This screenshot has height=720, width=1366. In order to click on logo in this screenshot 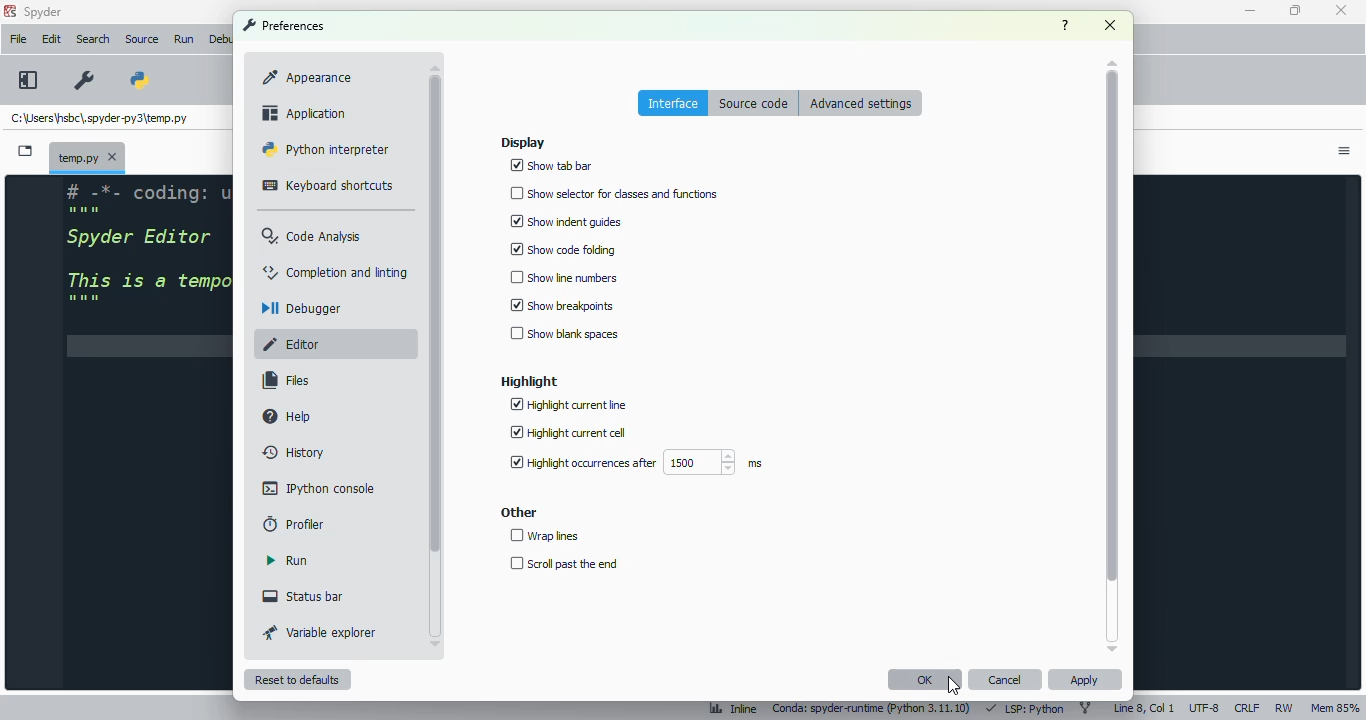, I will do `click(10, 10)`.